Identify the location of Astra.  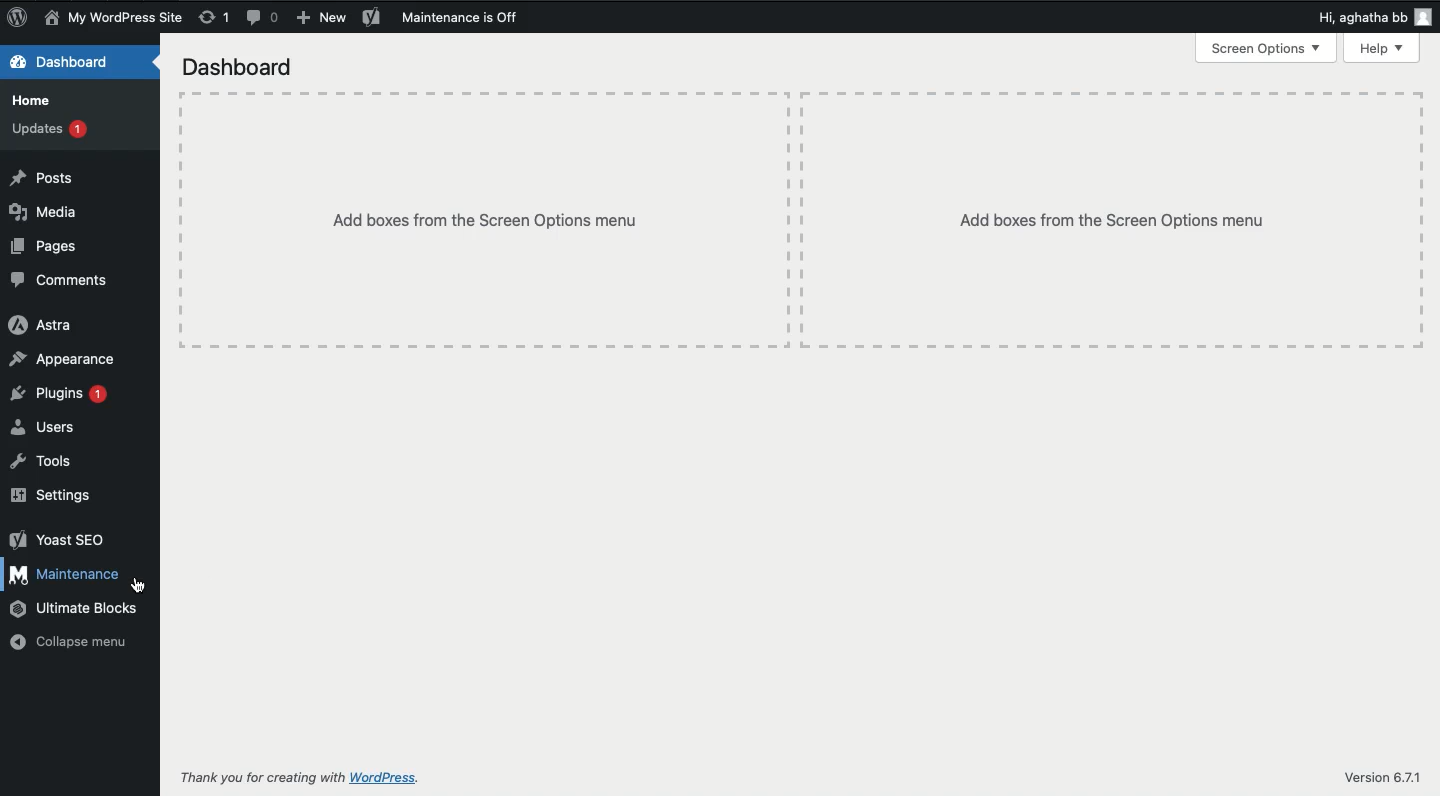
(43, 325).